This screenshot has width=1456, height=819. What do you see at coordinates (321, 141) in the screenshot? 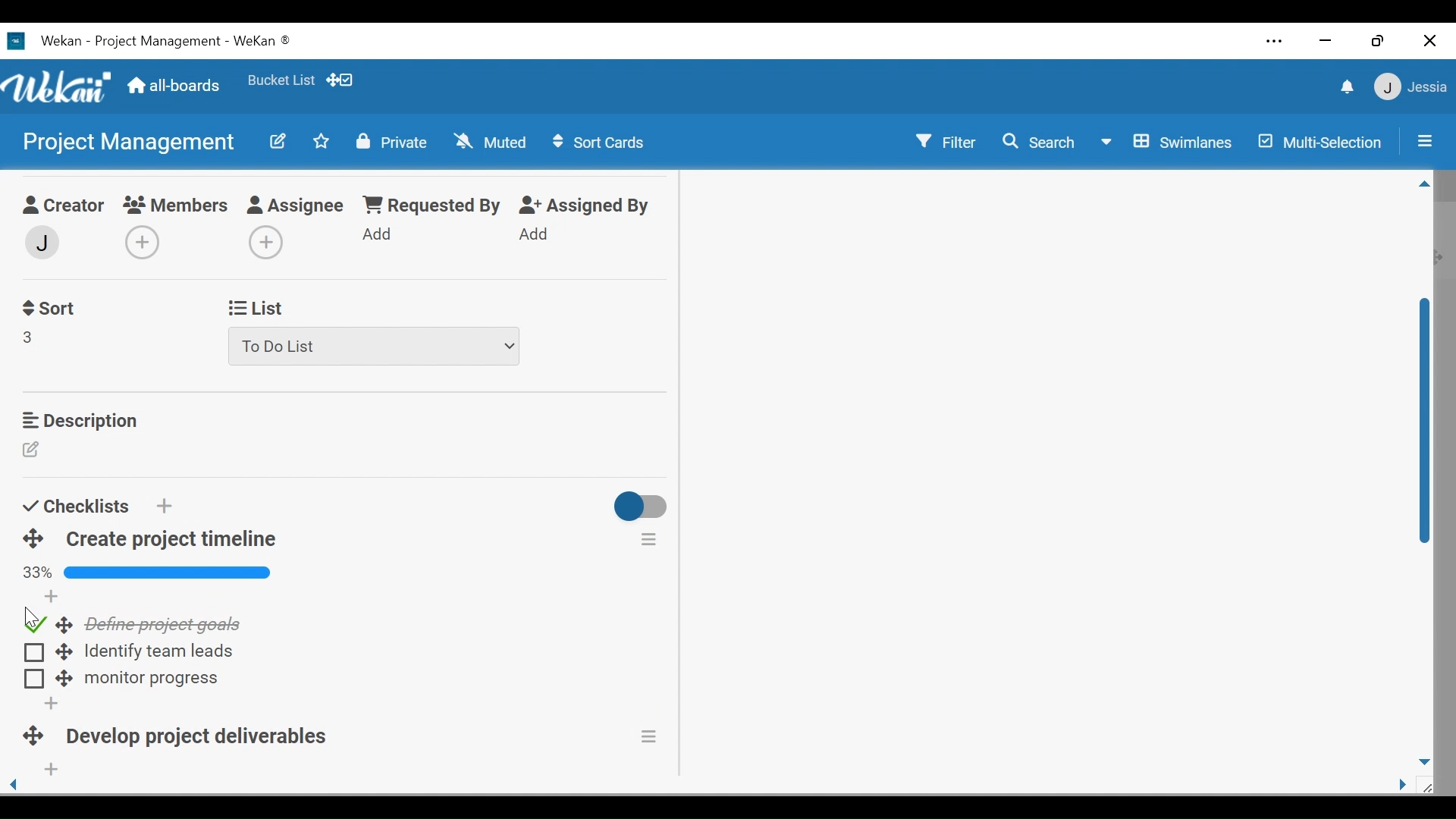
I see `Toggle favorites` at bounding box center [321, 141].